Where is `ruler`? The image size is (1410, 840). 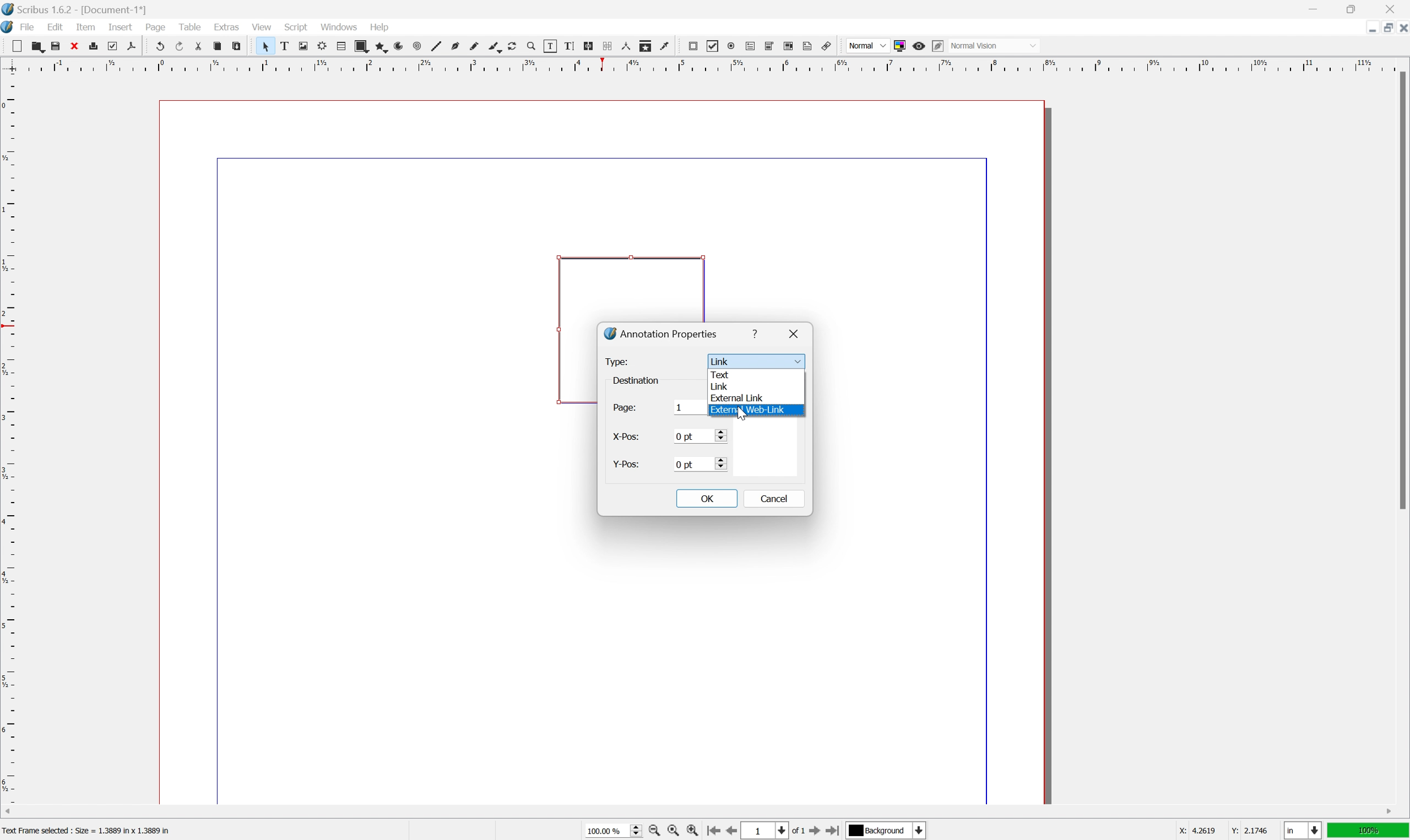
ruler is located at coordinates (703, 65).